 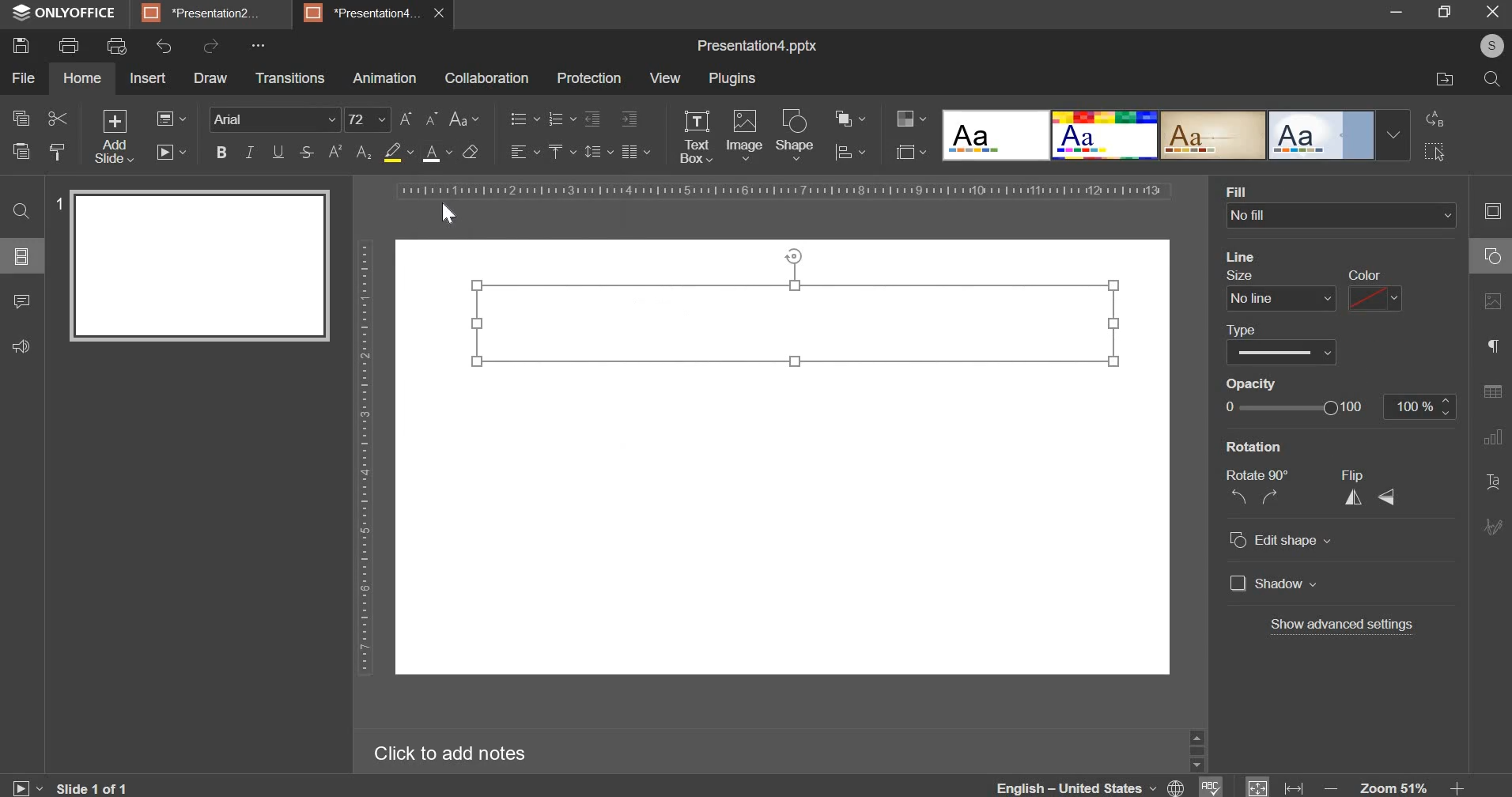 I want to click on view, so click(x=663, y=77).